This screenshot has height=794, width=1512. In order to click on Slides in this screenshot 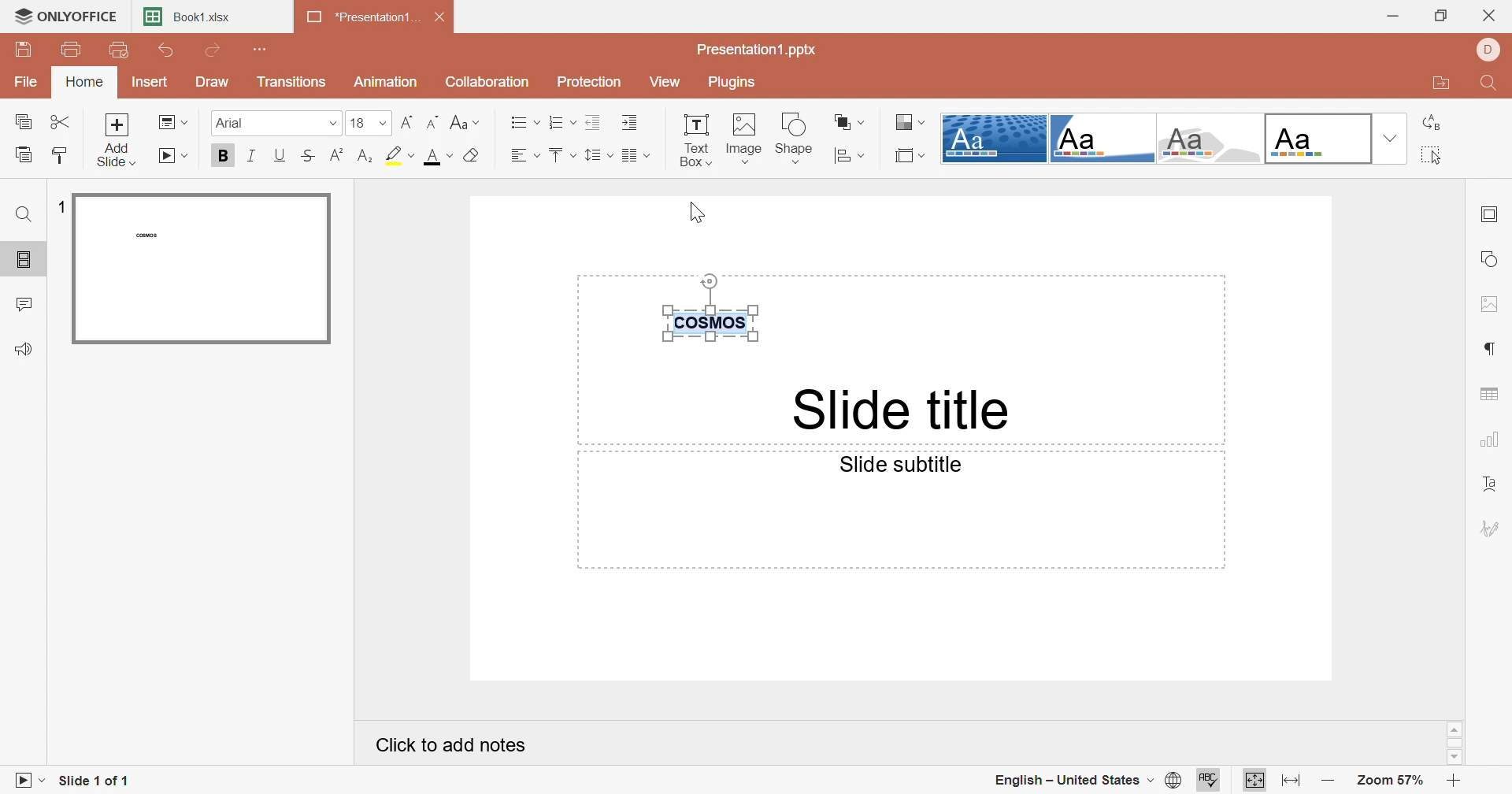, I will do `click(24, 259)`.